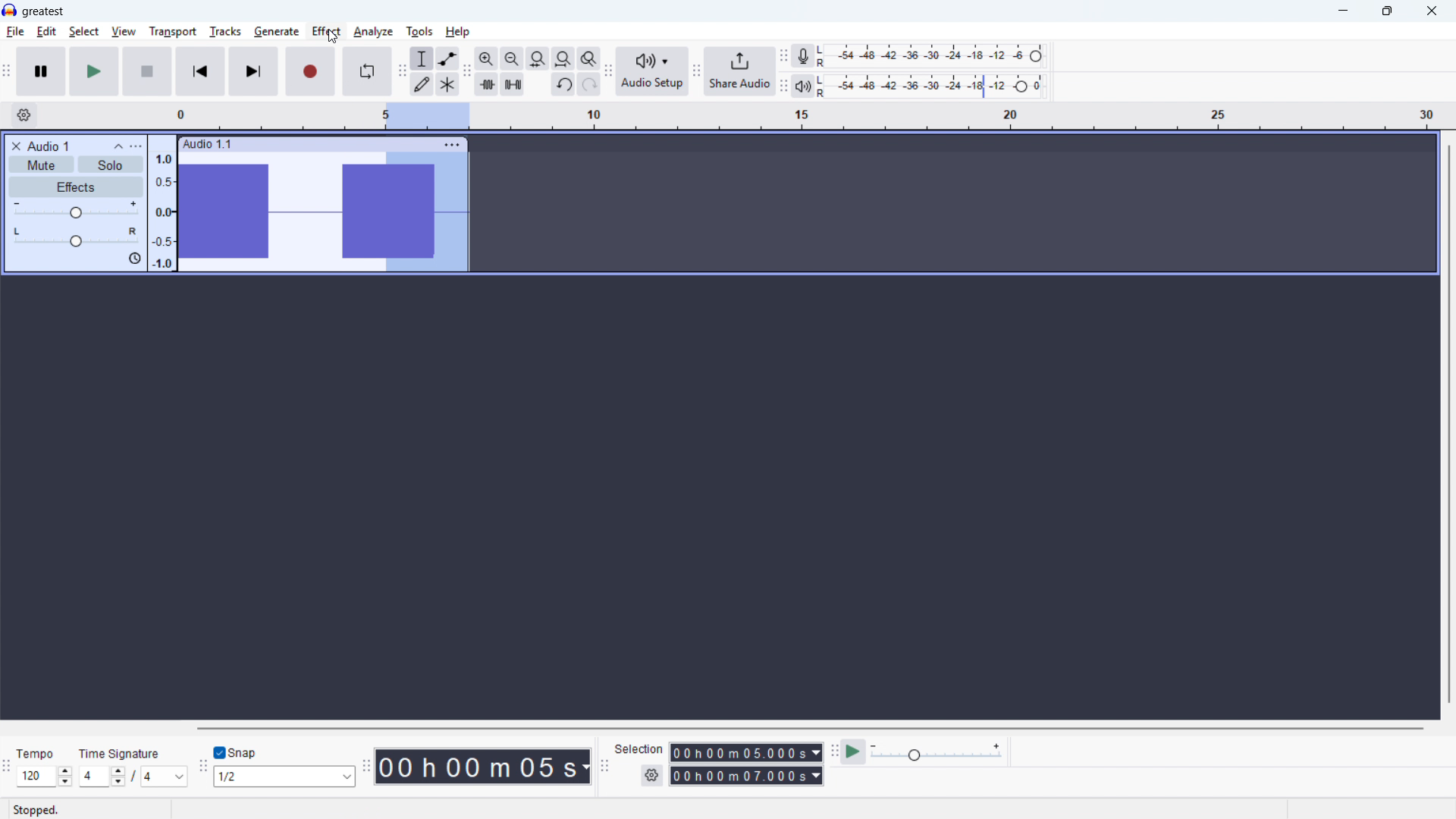 This screenshot has width=1456, height=819. What do you see at coordinates (809, 729) in the screenshot?
I see `Horizontal scroll bar ` at bounding box center [809, 729].